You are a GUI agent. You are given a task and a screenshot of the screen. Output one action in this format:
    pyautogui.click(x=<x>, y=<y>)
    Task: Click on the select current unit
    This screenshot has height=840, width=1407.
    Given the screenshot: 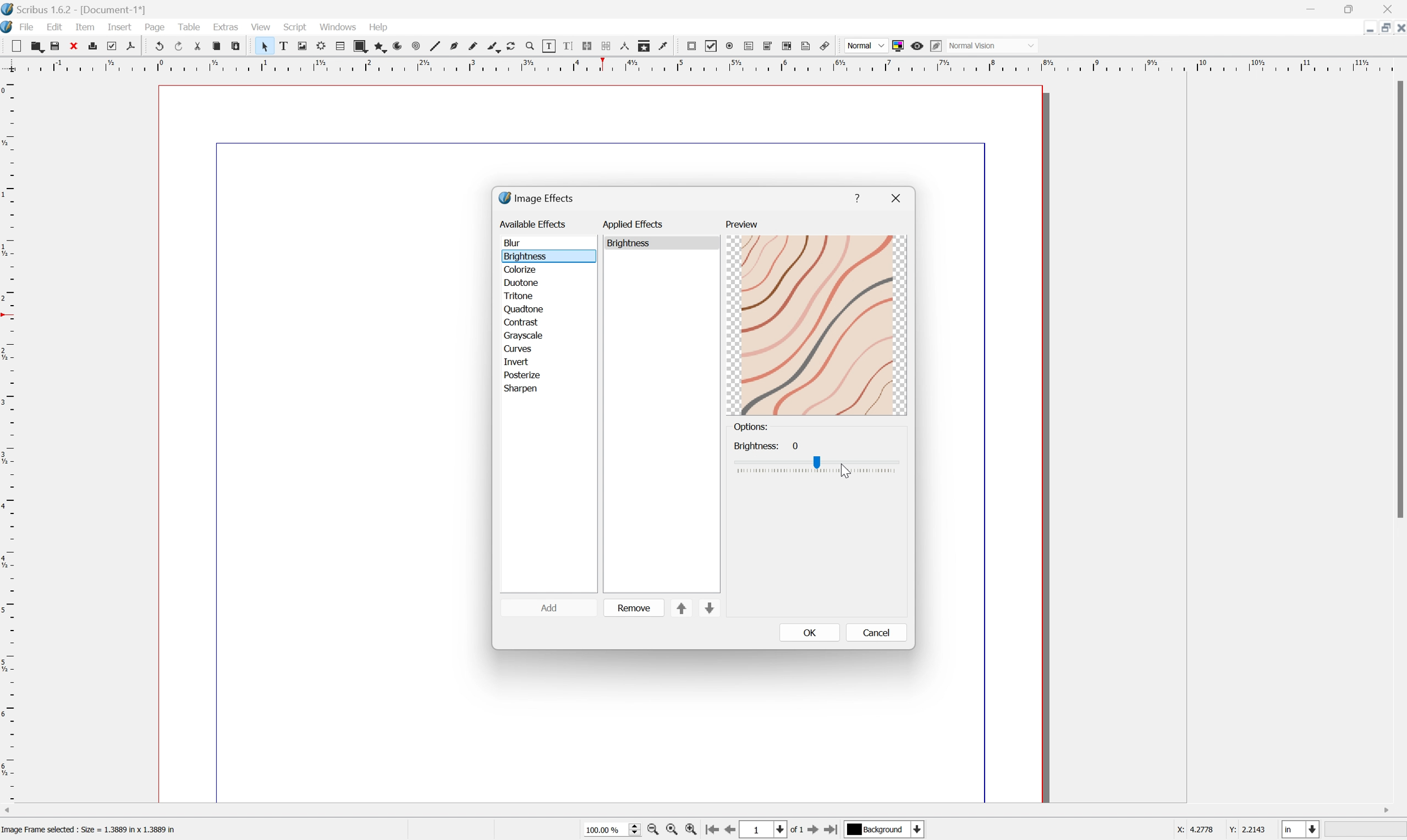 What is the action you would take?
    pyautogui.click(x=1302, y=829)
    